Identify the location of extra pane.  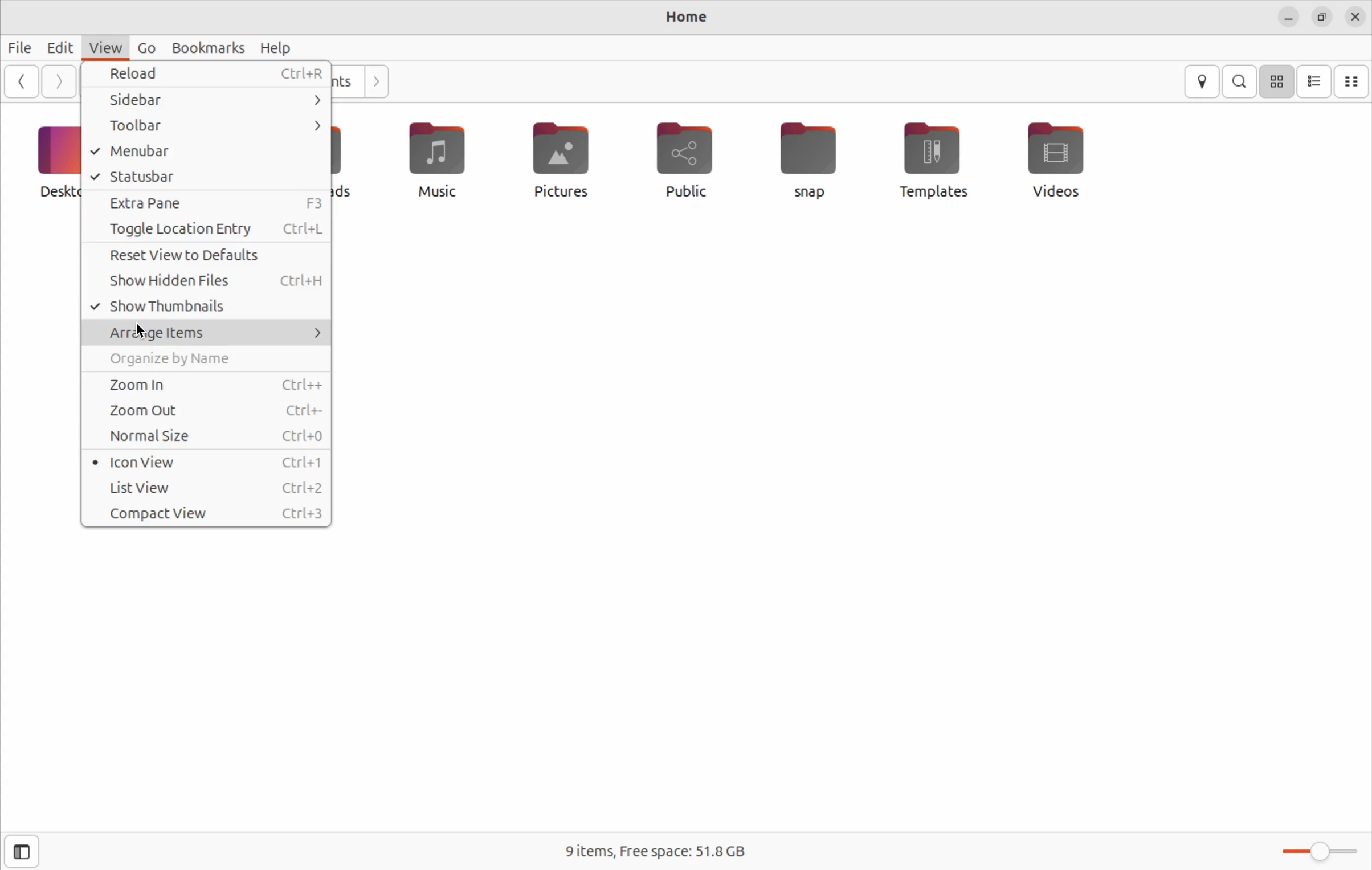
(205, 205).